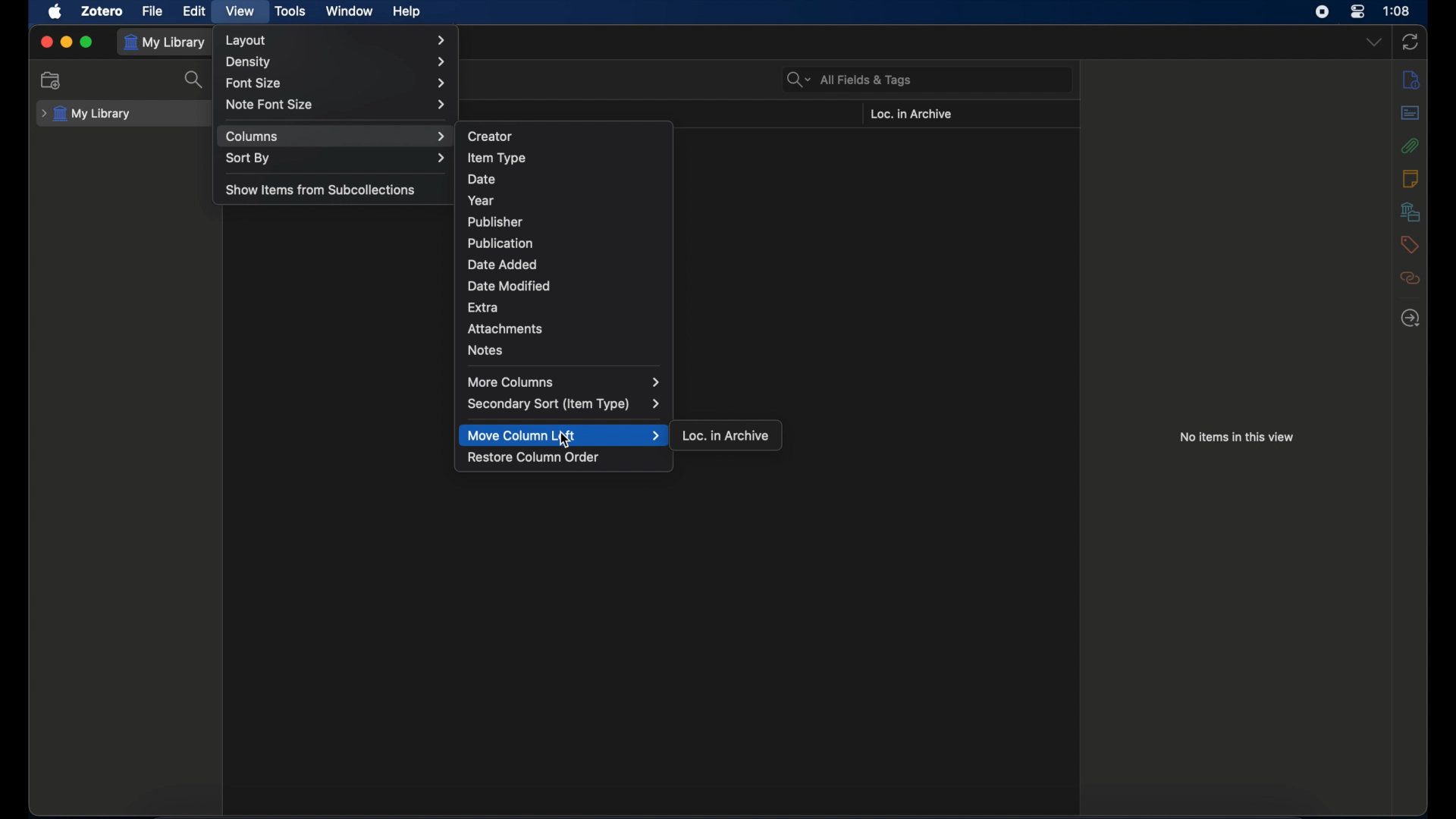 The width and height of the screenshot is (1456, 819). What do you see at coordinates (1411, 318) in the screenshot?
I see `locate` at bounding box center [1411, 318].